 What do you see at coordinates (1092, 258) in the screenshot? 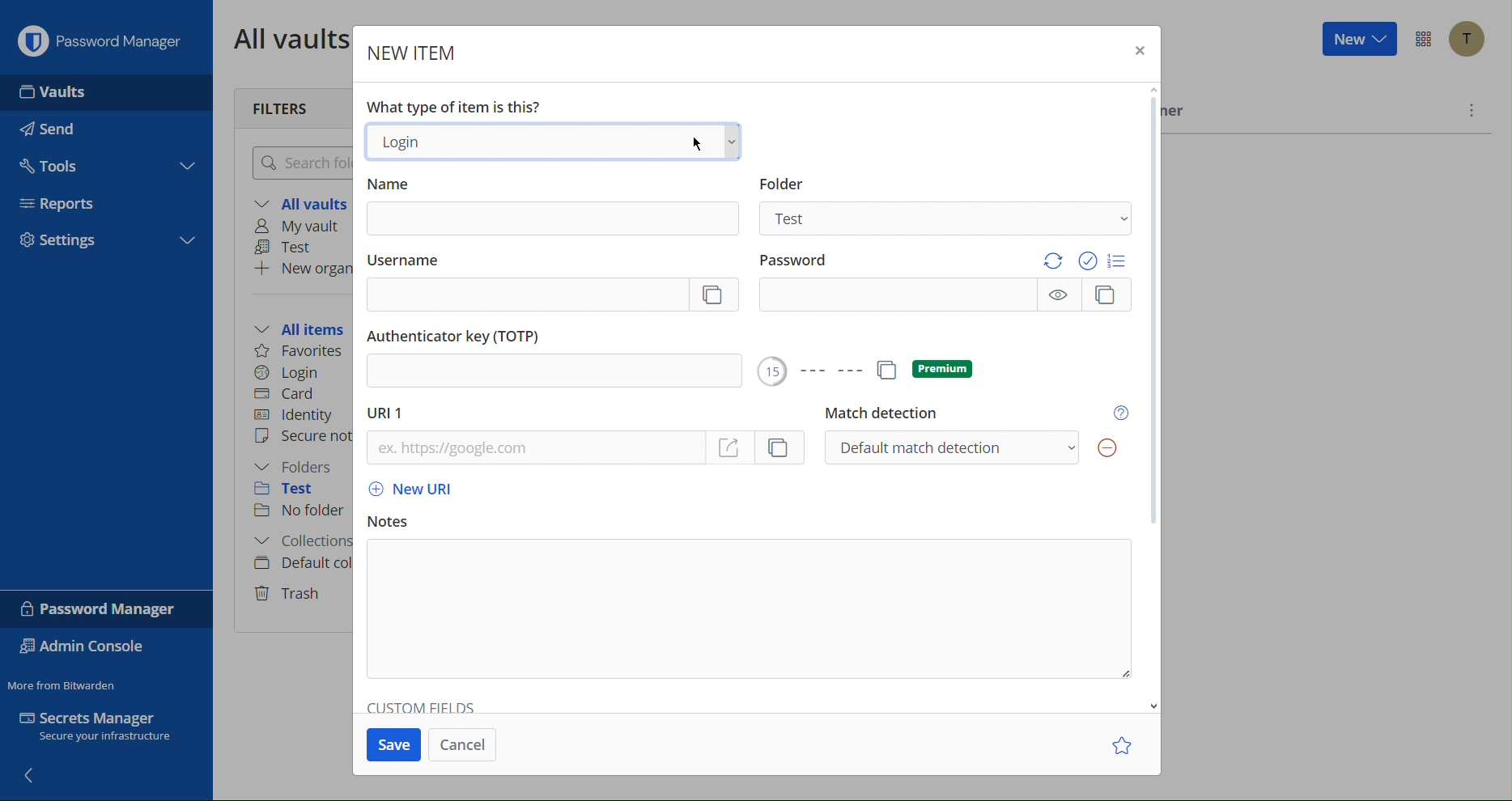
I see `Options` at bounding box center [1092, 258].